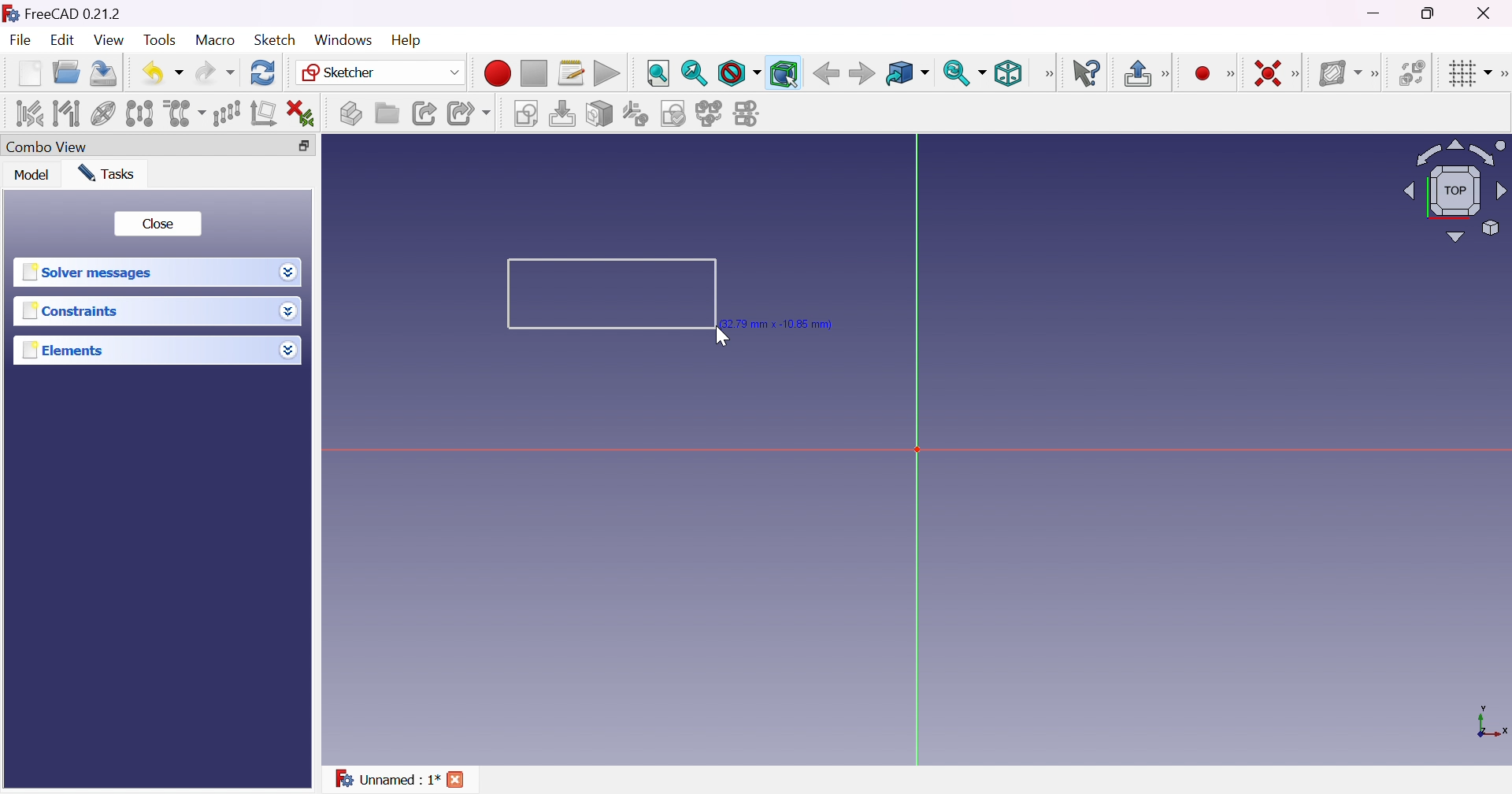  Describe the element at coordinates (1340, 72) in the screenshot. I see `Show/hide B-spline information layer` at that location.